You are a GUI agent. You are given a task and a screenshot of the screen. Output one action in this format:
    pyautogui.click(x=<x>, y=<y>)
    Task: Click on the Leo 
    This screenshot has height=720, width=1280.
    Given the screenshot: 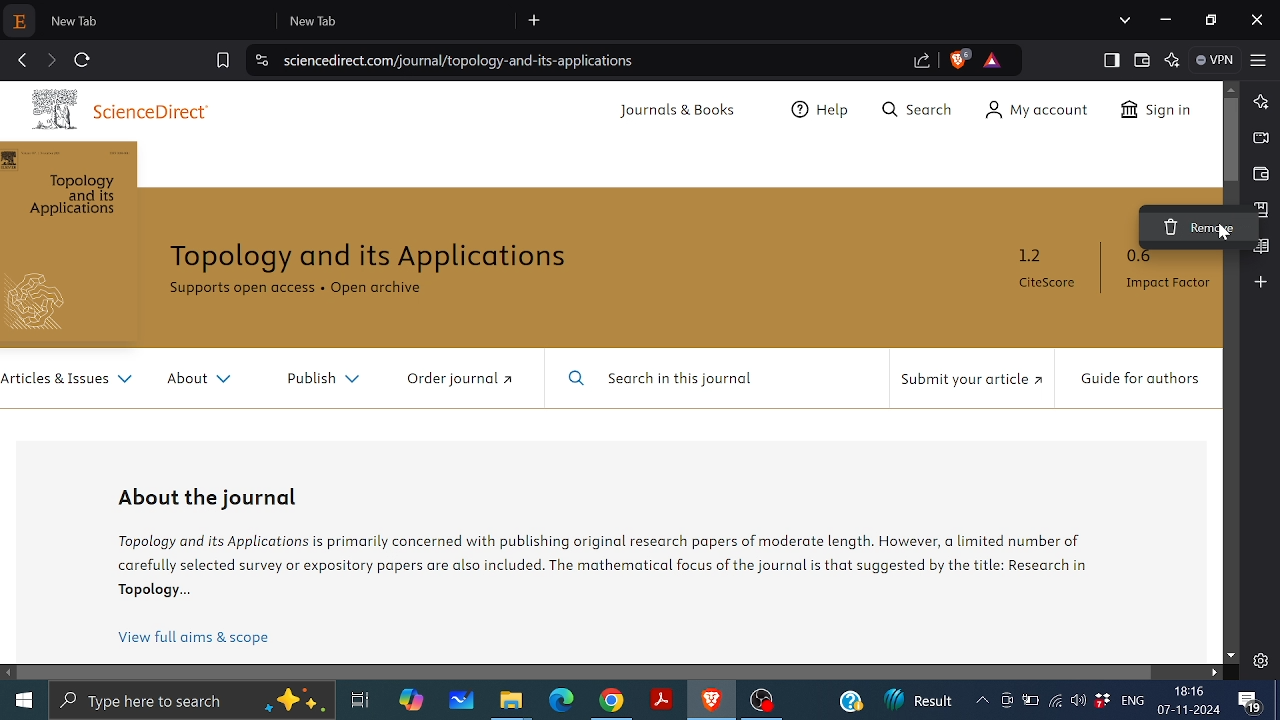 What is the action you would take?
    pyautogui.click(x=1262, y=100)
    